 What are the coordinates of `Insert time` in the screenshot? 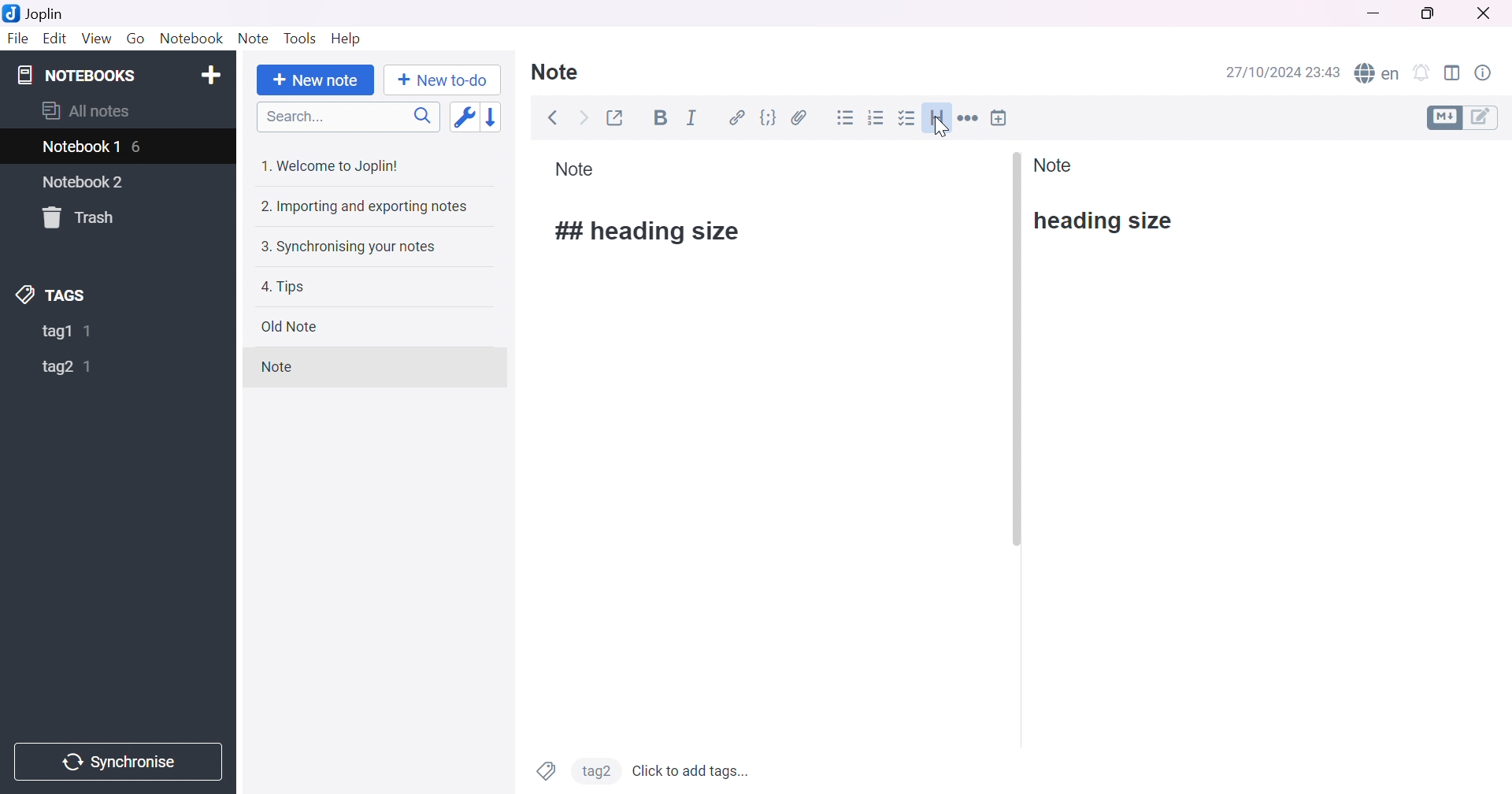 It's located at (999, 118).